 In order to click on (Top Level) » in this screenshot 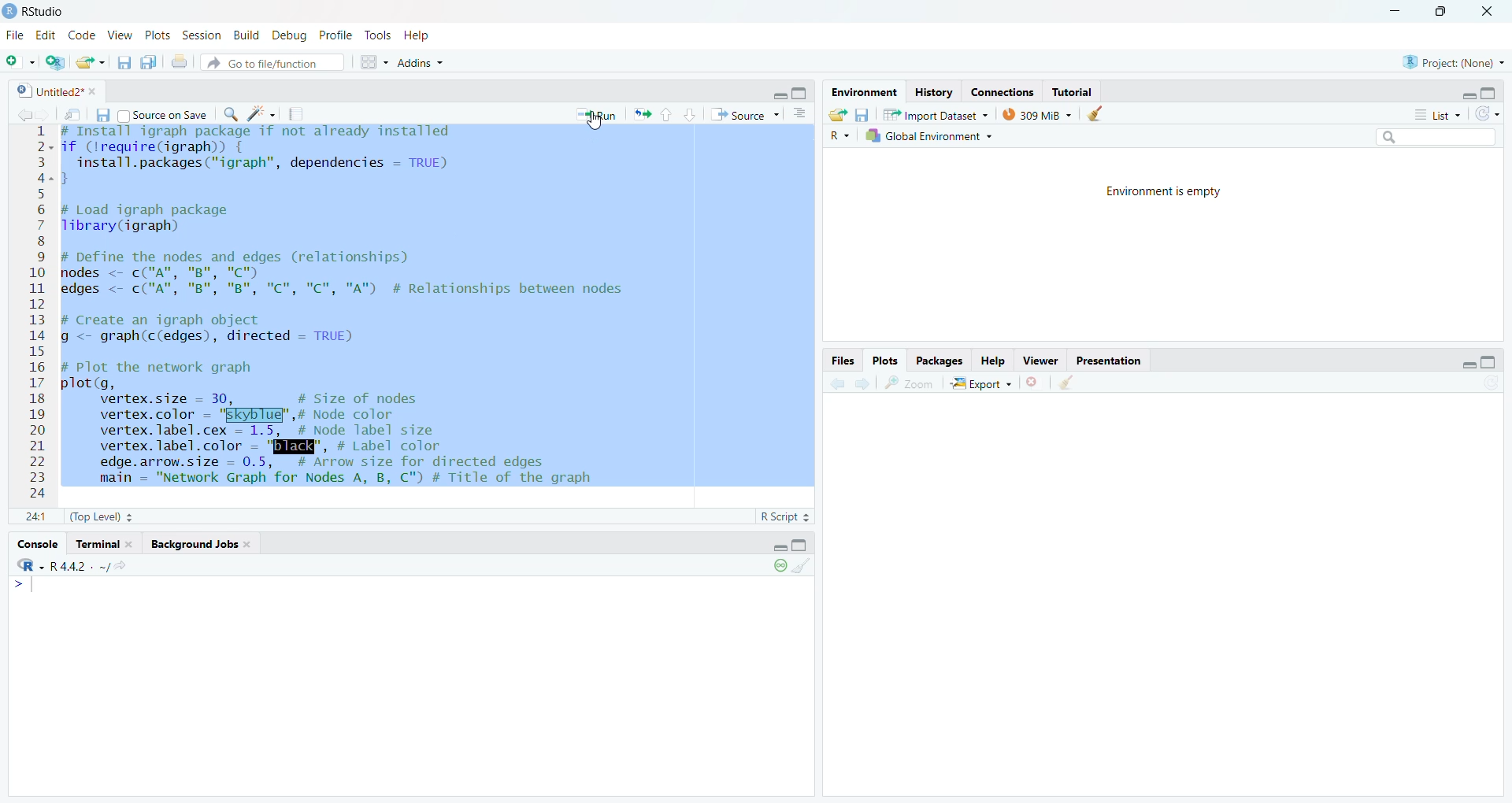, I will do `click(102, 515)`.